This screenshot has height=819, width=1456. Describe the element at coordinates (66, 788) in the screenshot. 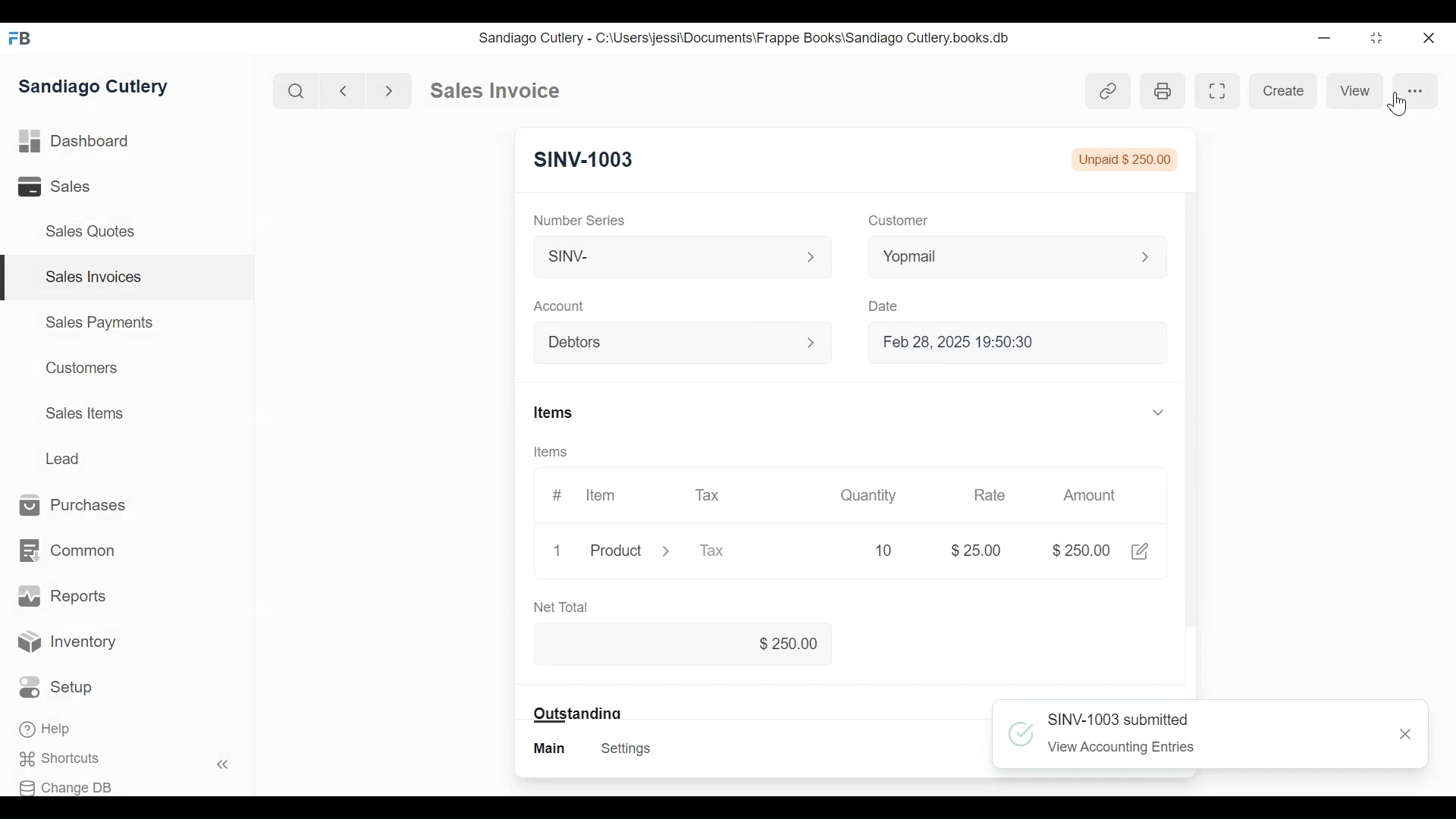

I see `Change DB` at that location.